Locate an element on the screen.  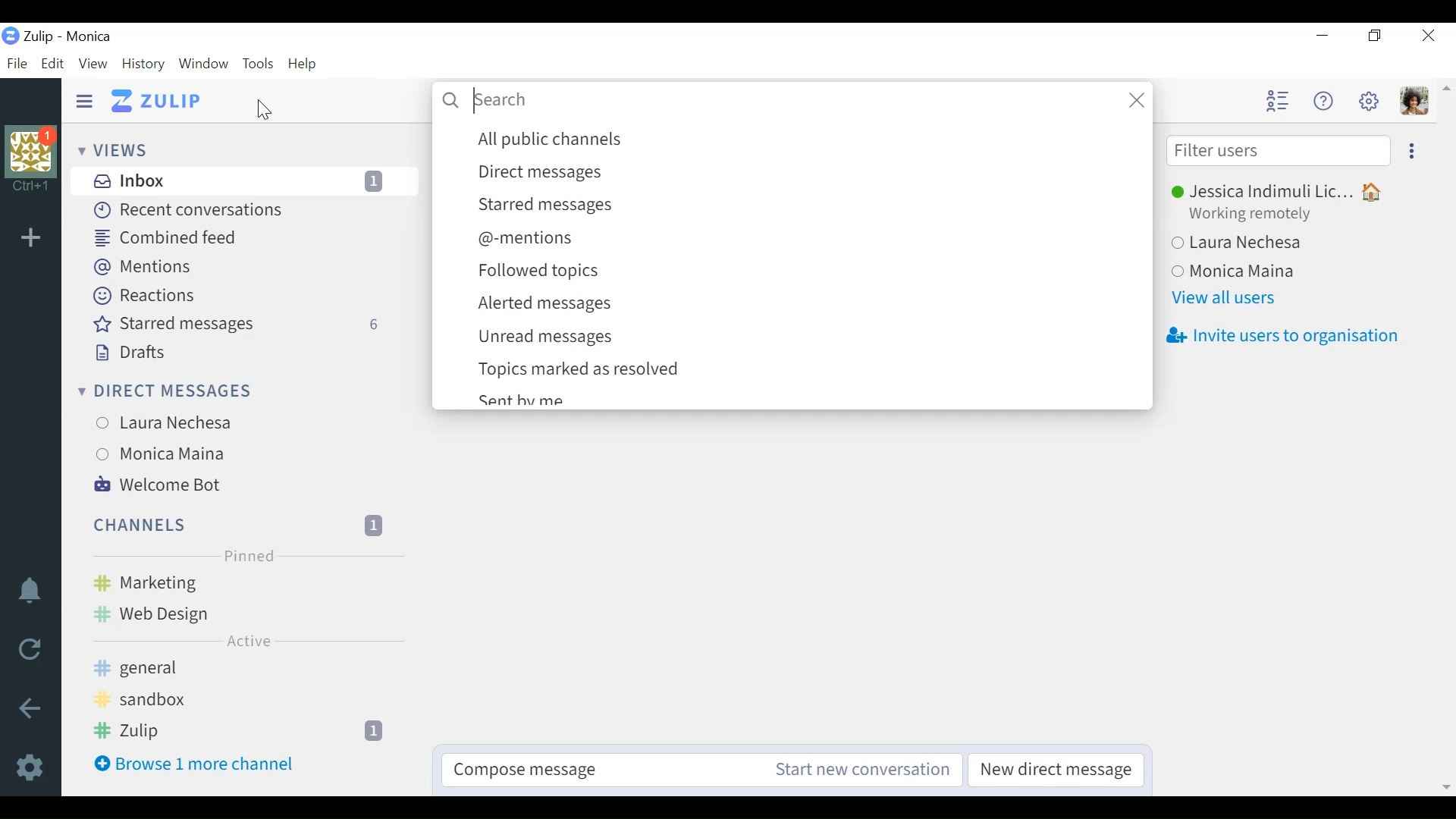
Sent by me is located at coordinates (526, 397).